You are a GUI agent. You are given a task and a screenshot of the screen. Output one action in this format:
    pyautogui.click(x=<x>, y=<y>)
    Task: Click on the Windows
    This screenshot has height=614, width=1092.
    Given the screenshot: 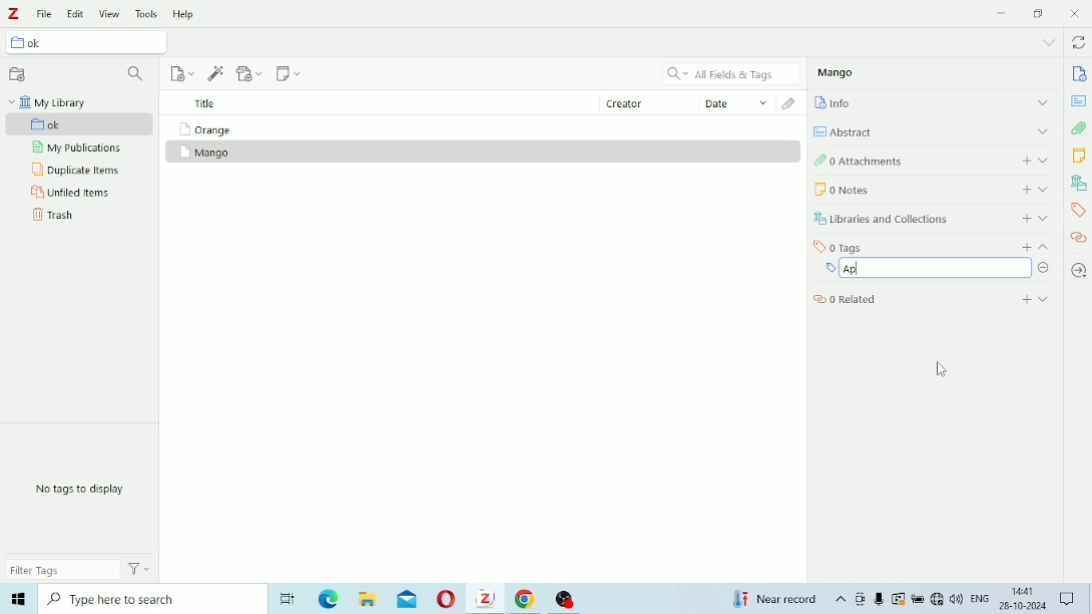 What is the action you would take?
    pyautogui.click(x=18, y=597)
    